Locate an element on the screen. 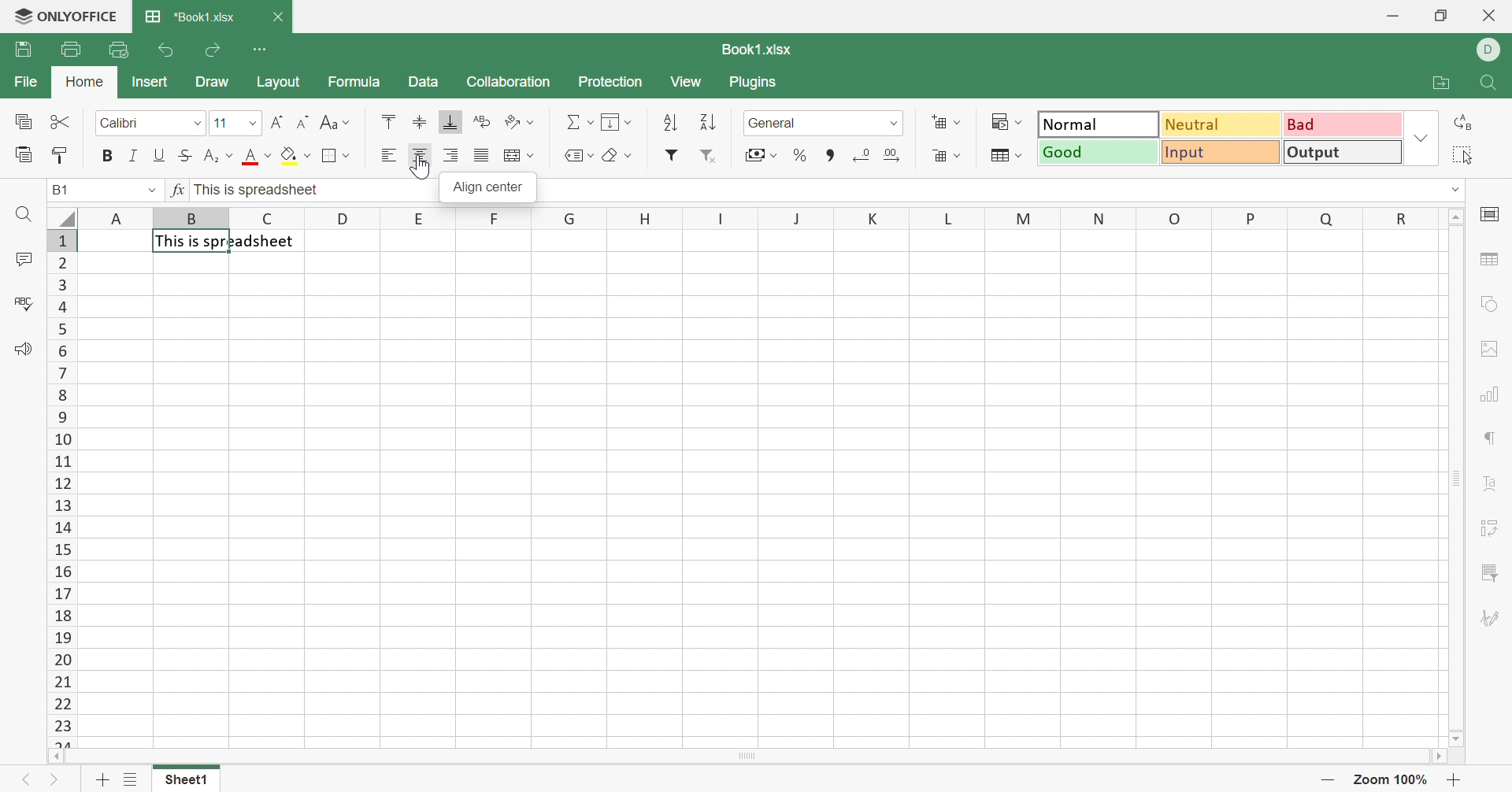  Find is located at coordinates (1492, 84).